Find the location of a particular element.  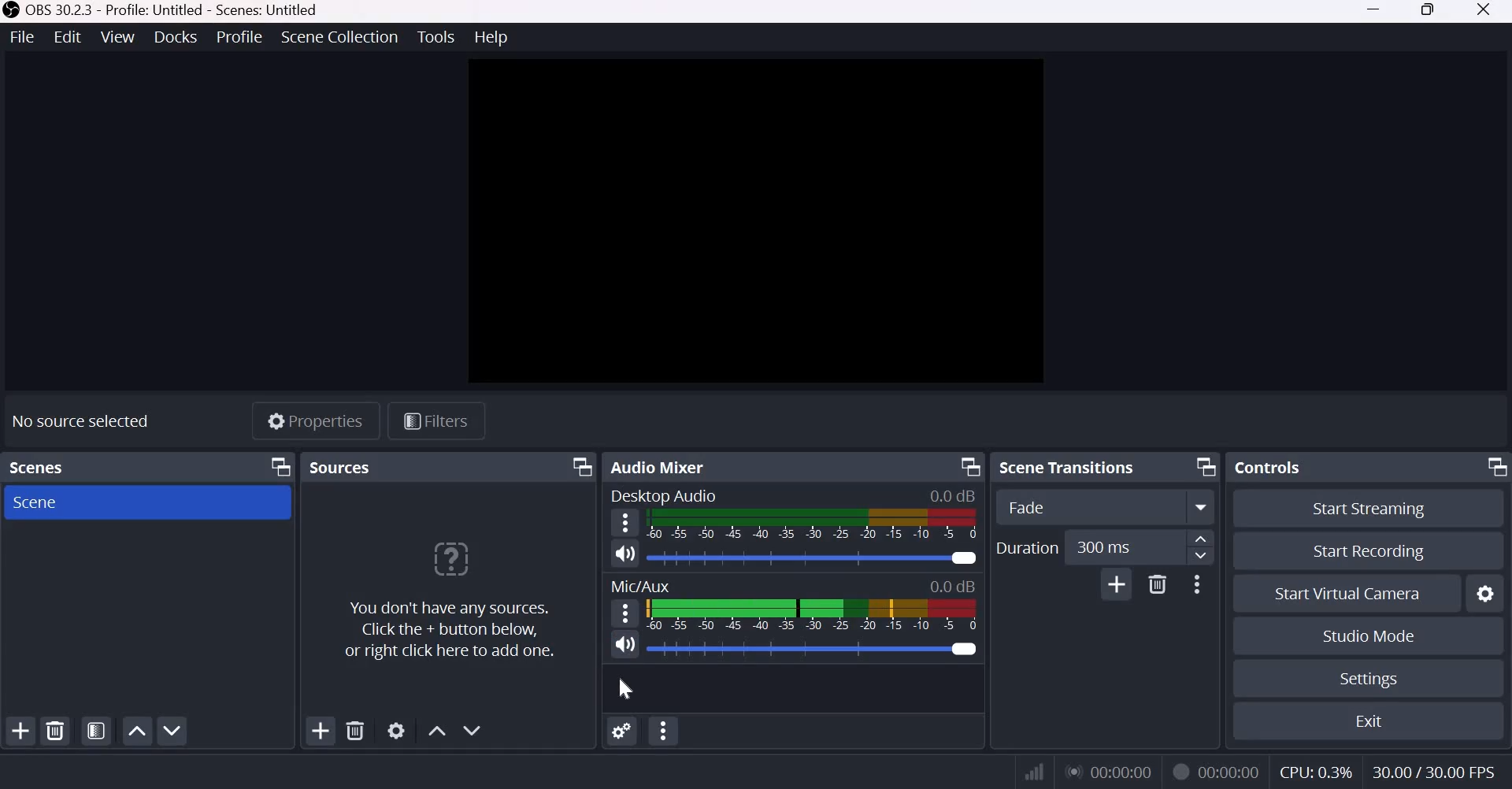

Controls is located at coordinates (1265, 467).